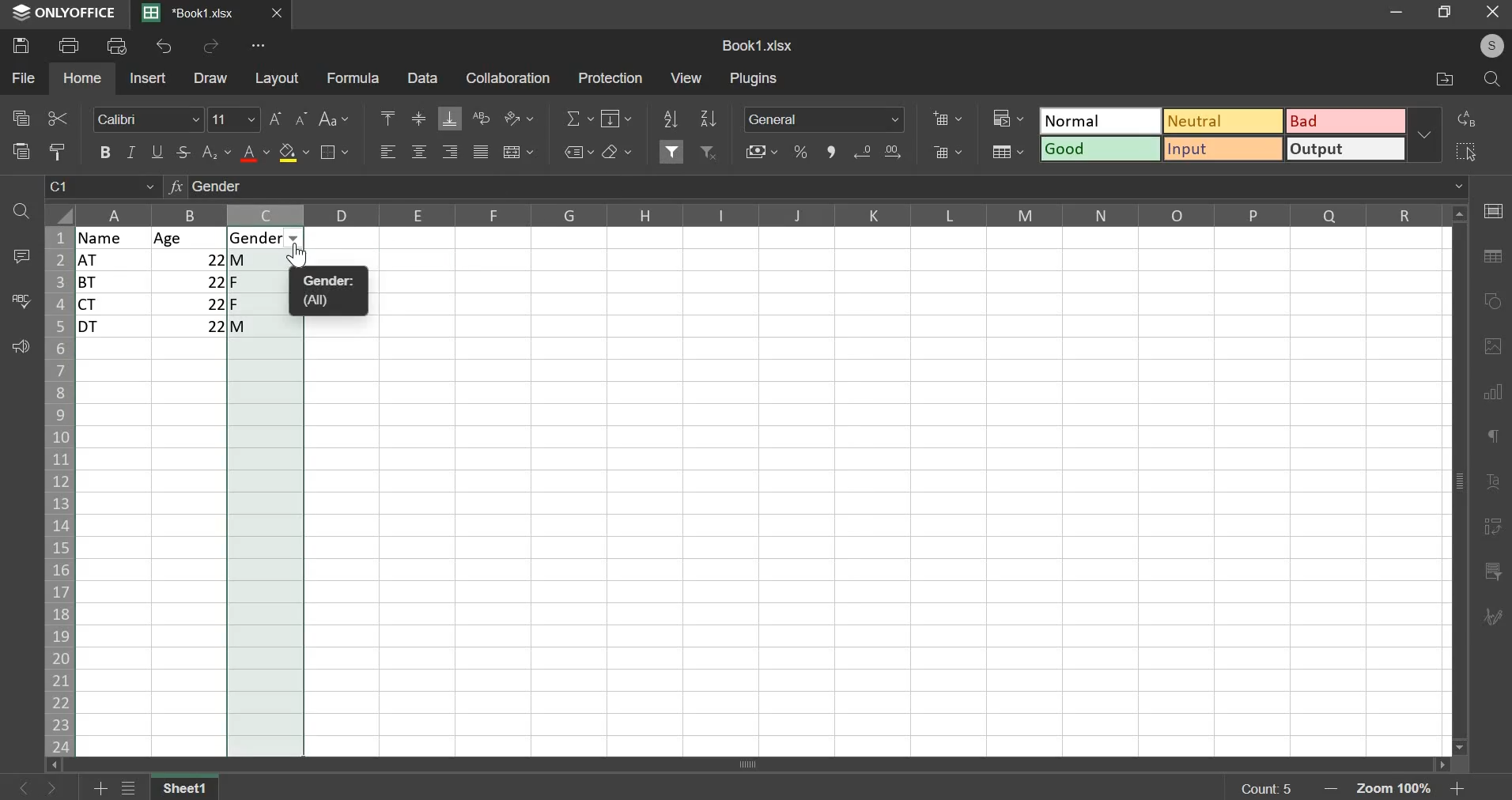 Image resolution: width=1512 pixels, height=800 pixels. What do you see at coordinates (418, 120) in the screenshot?
I see `align middle` at bounding box center [418, 120].